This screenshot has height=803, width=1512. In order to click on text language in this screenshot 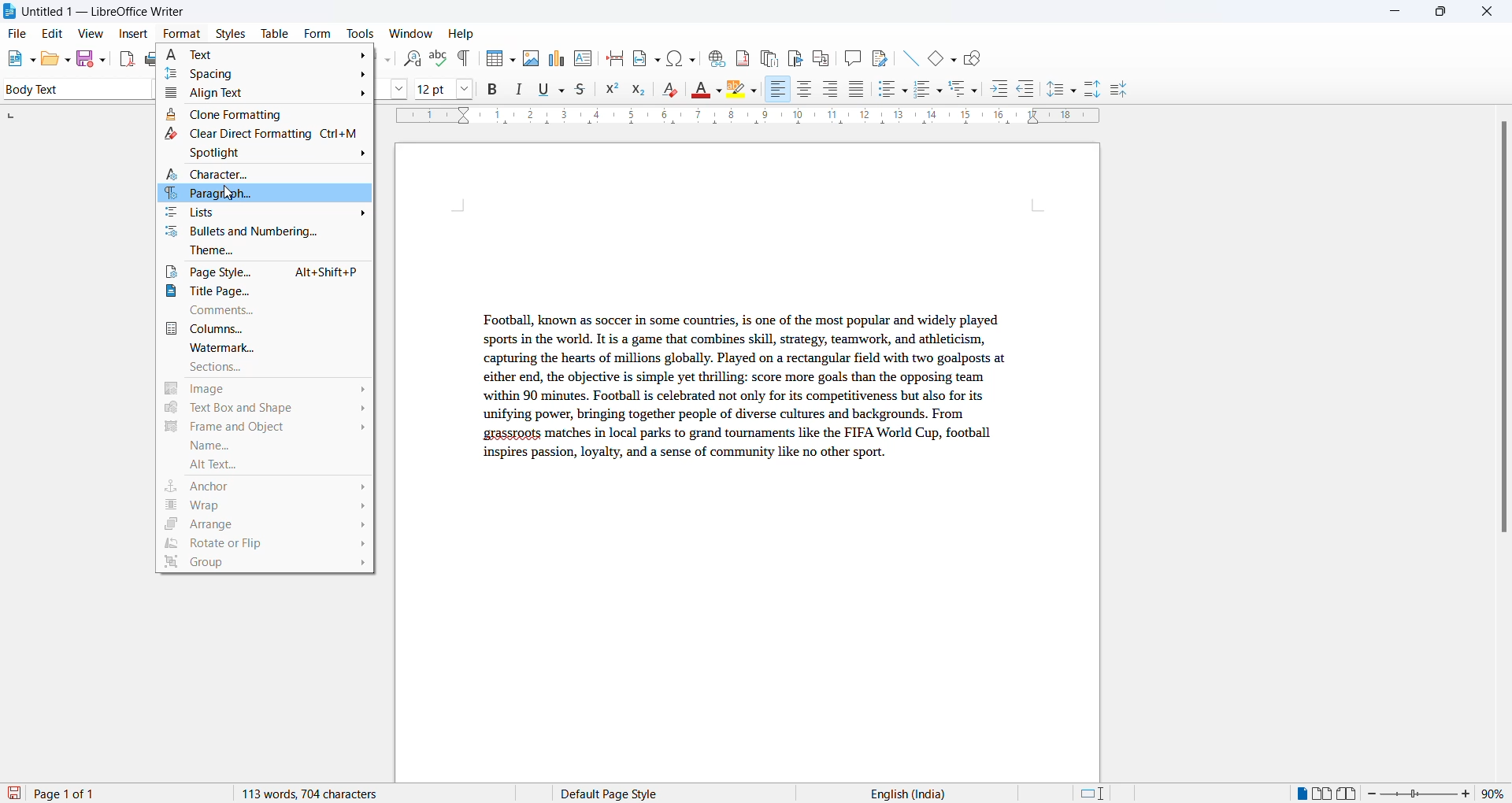, I will do `click(902, 794)`.